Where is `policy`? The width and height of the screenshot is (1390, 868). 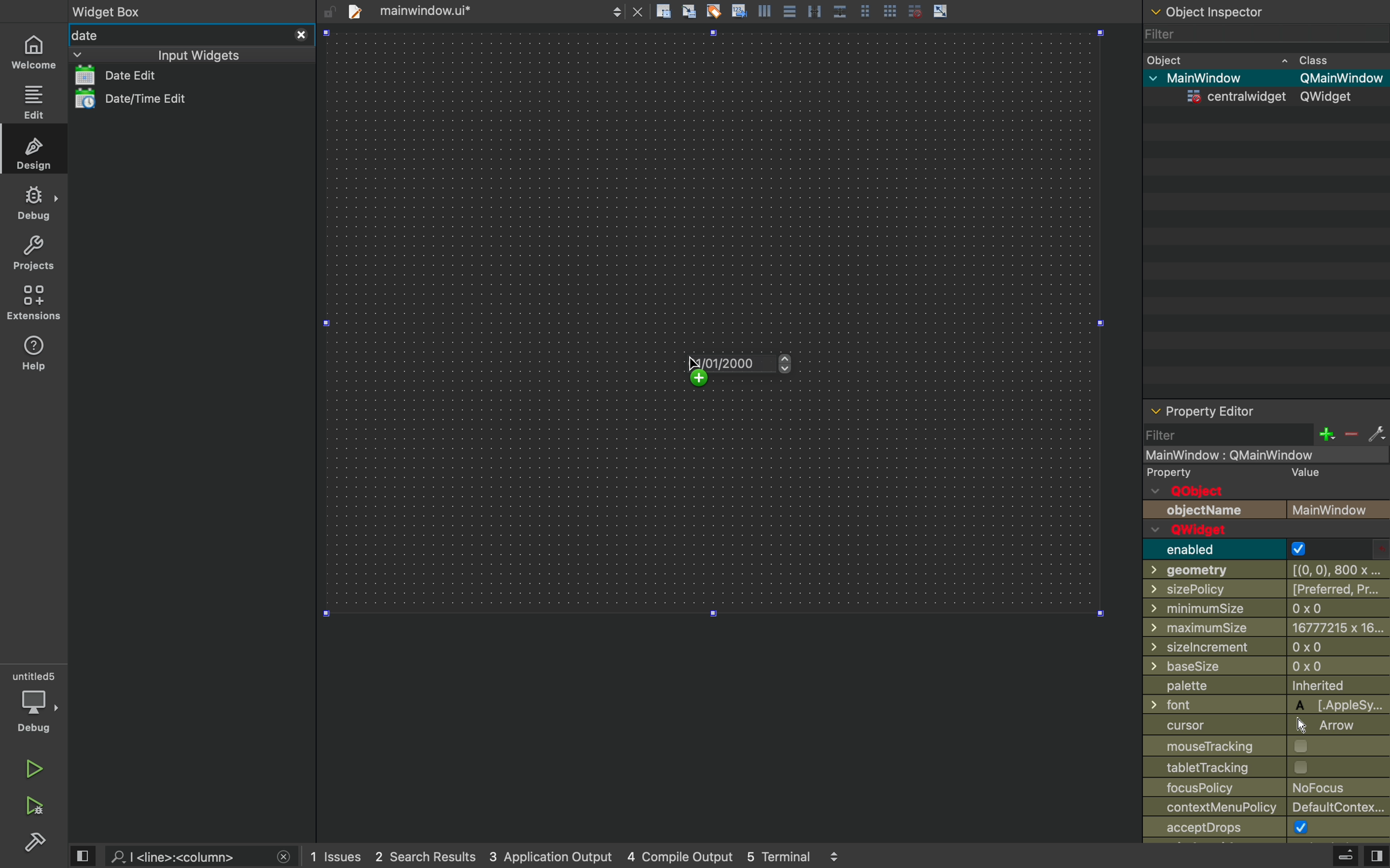 policy is located at coordinates (1268, 787).